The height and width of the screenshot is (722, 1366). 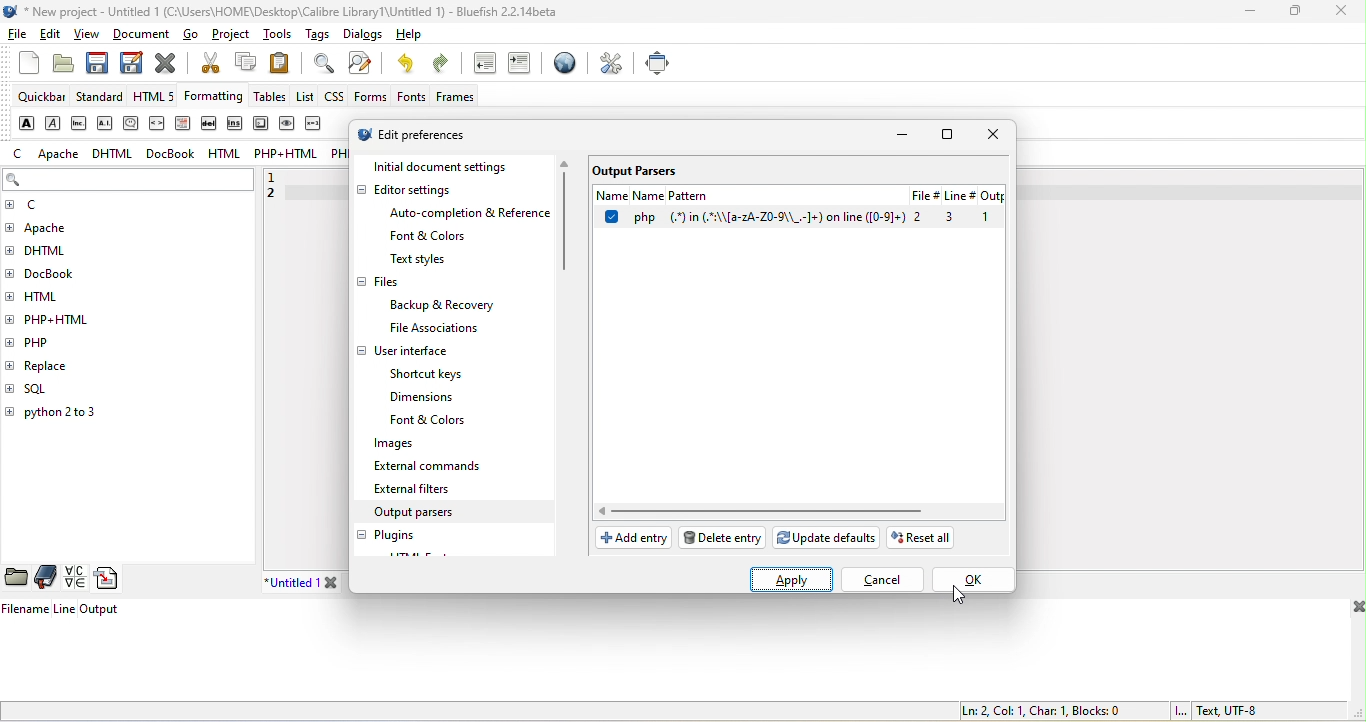 I want to click on ln 2, col 1, char 1, blocks 0, so click(x=1039, y=710).